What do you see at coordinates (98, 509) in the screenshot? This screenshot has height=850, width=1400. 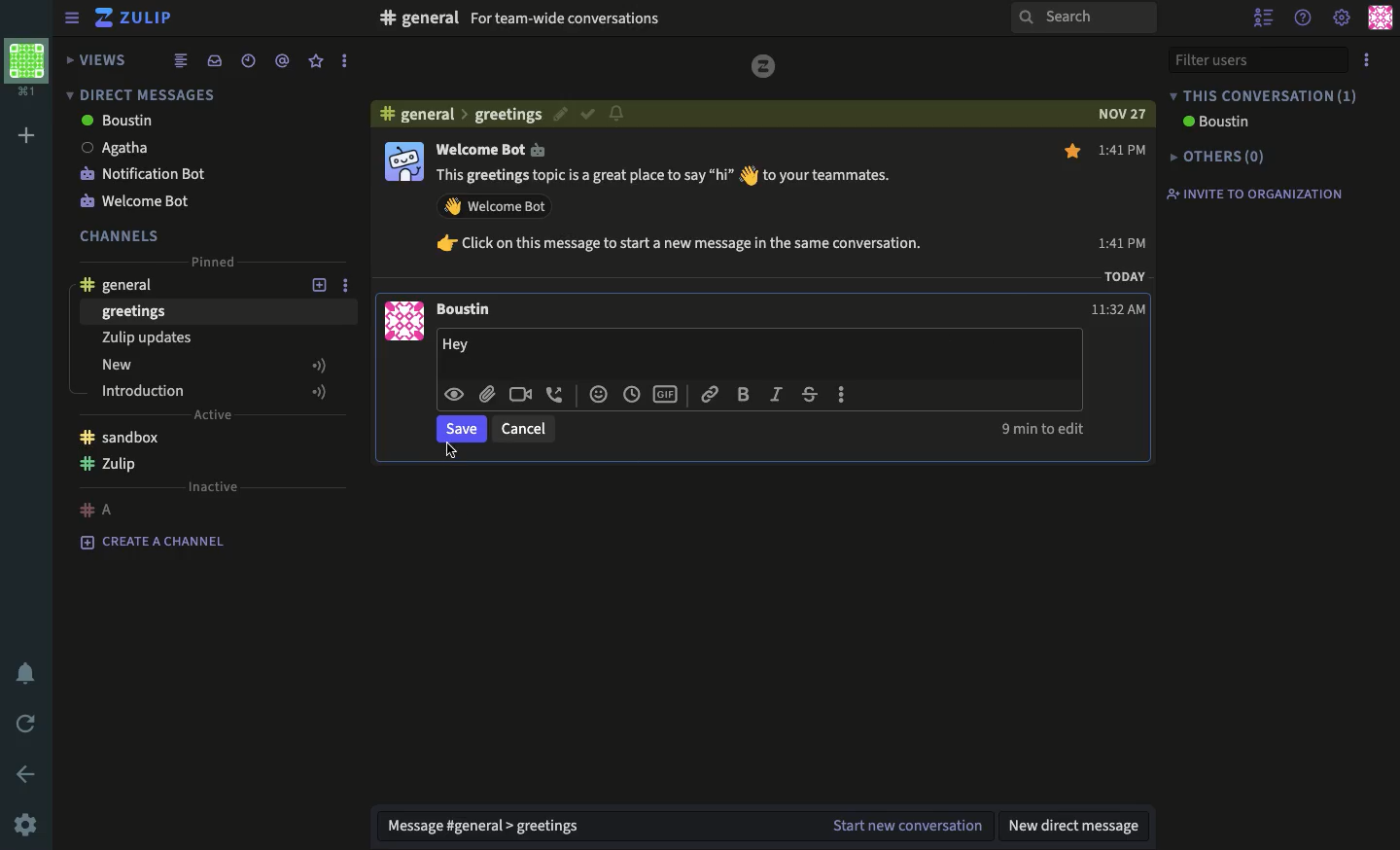 I see `#A` at bounding box center [98, 509].